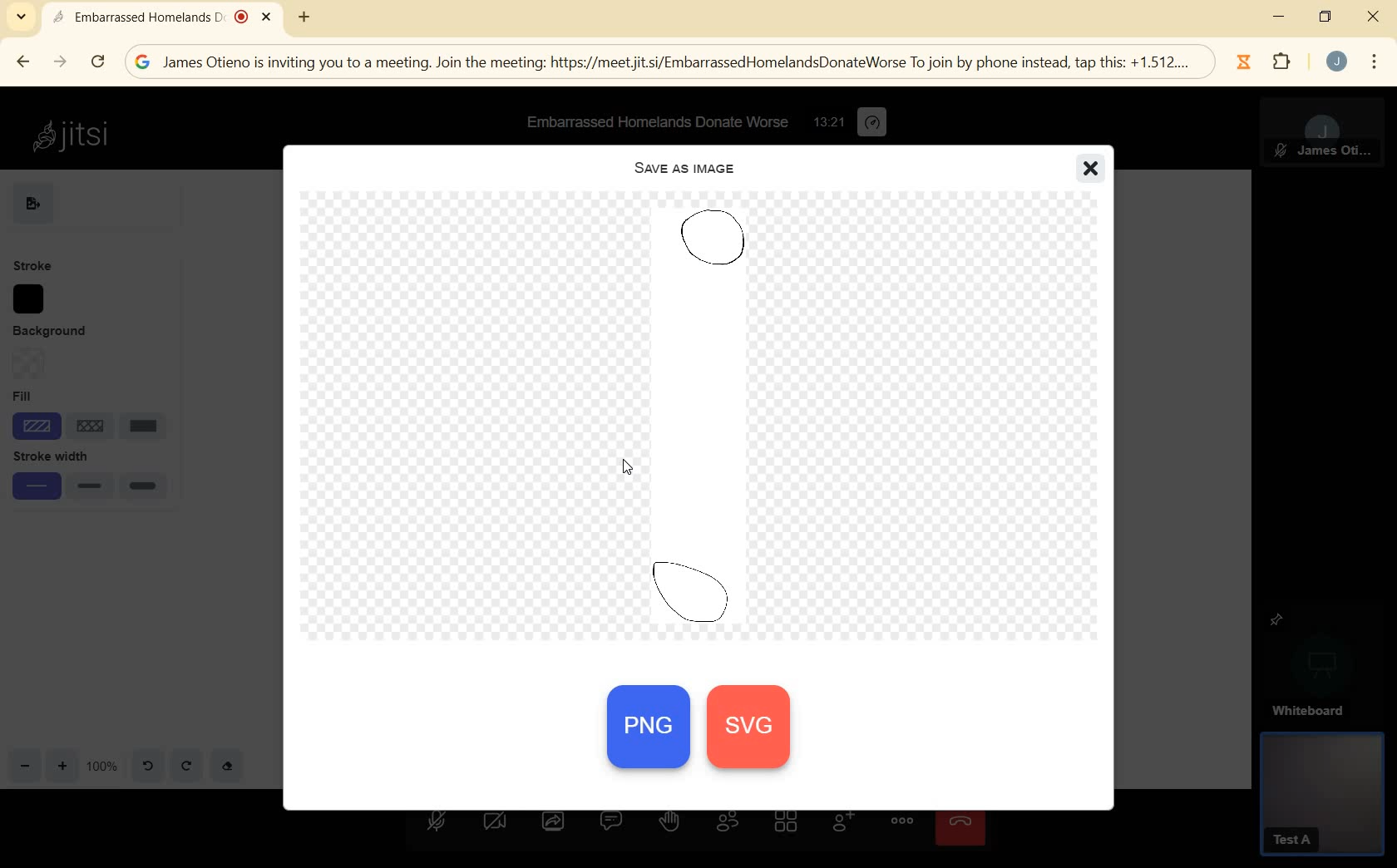  I want to click on close, so click(1091, 167).